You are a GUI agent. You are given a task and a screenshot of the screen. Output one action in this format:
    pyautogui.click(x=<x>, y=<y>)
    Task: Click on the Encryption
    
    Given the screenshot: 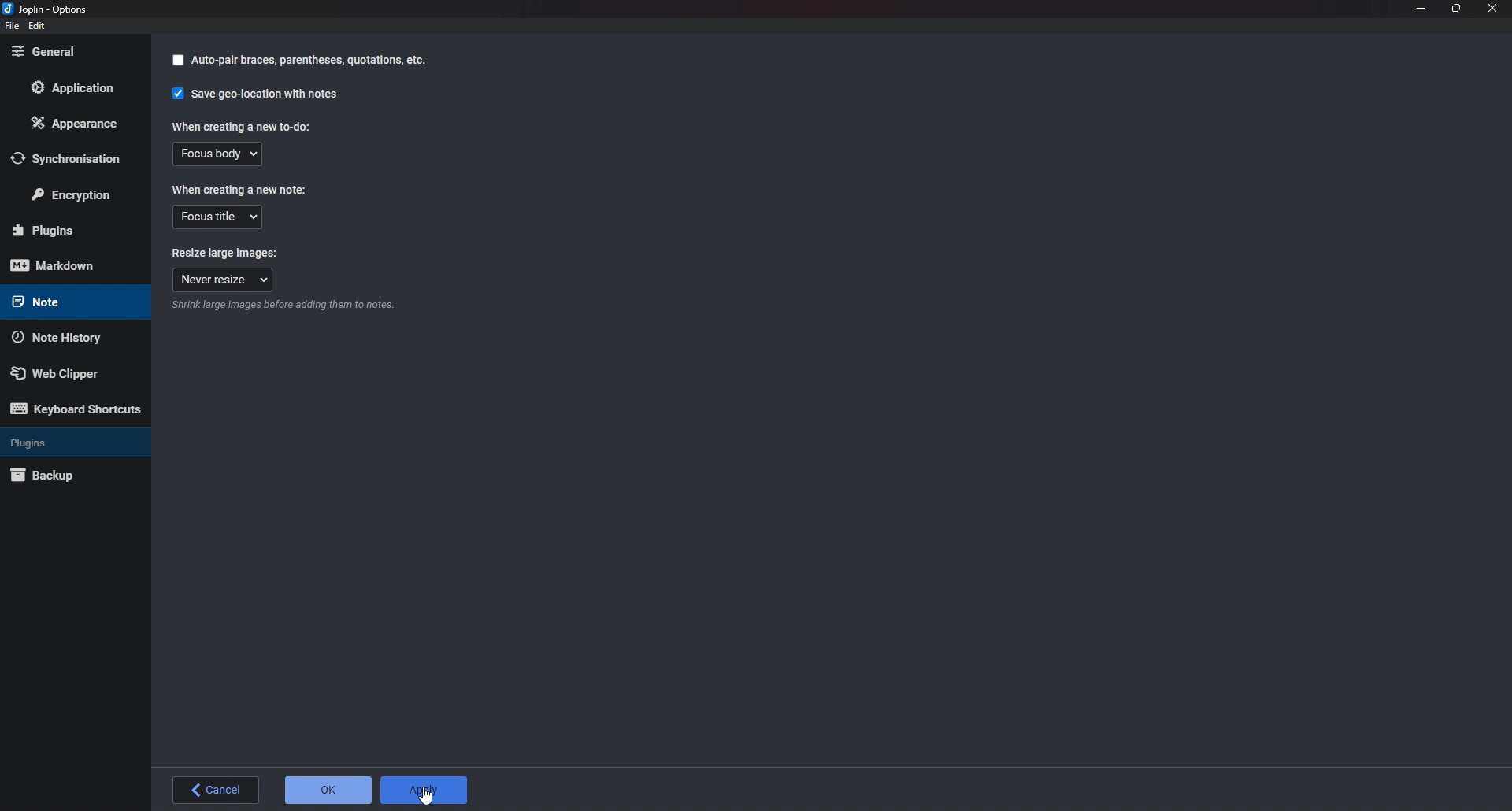 What is the action you would take?
    pyautogui.click(x=70, y=195)
    